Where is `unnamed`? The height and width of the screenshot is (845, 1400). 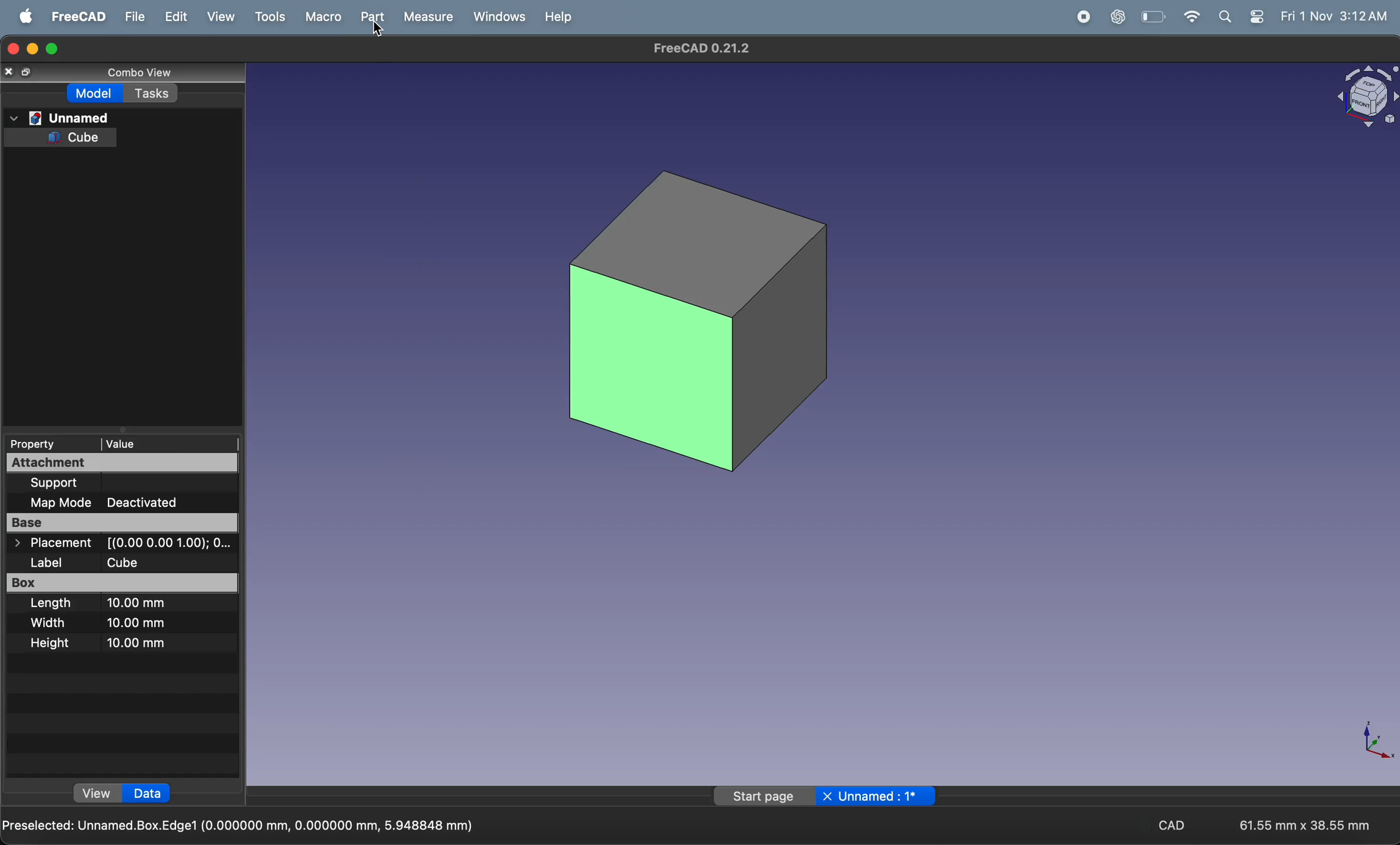 unnamed is located at coordinates (881, 797).